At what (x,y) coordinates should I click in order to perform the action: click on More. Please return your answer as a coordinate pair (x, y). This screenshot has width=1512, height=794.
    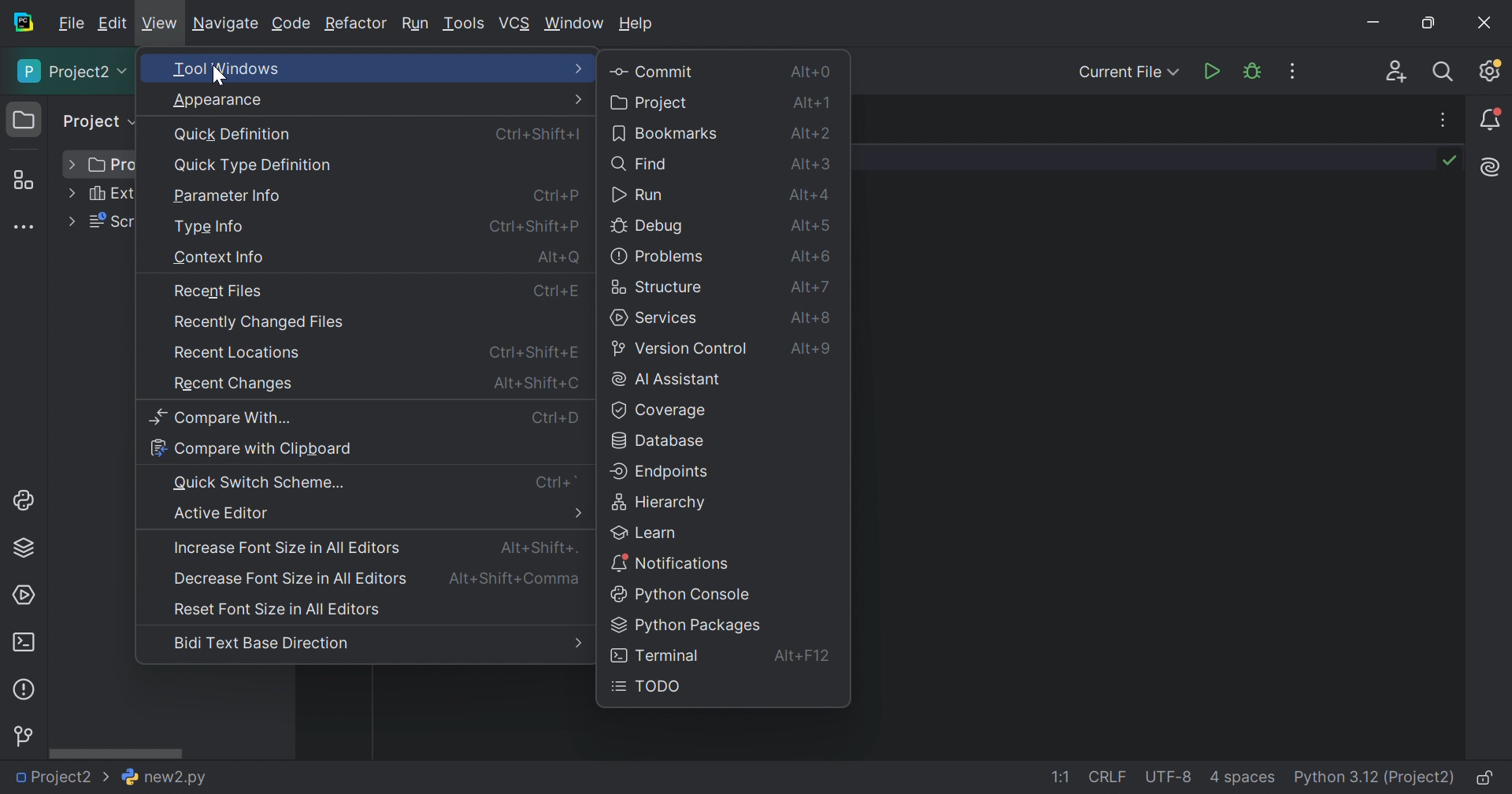
    Looking at the image, I should click on (577, 98).